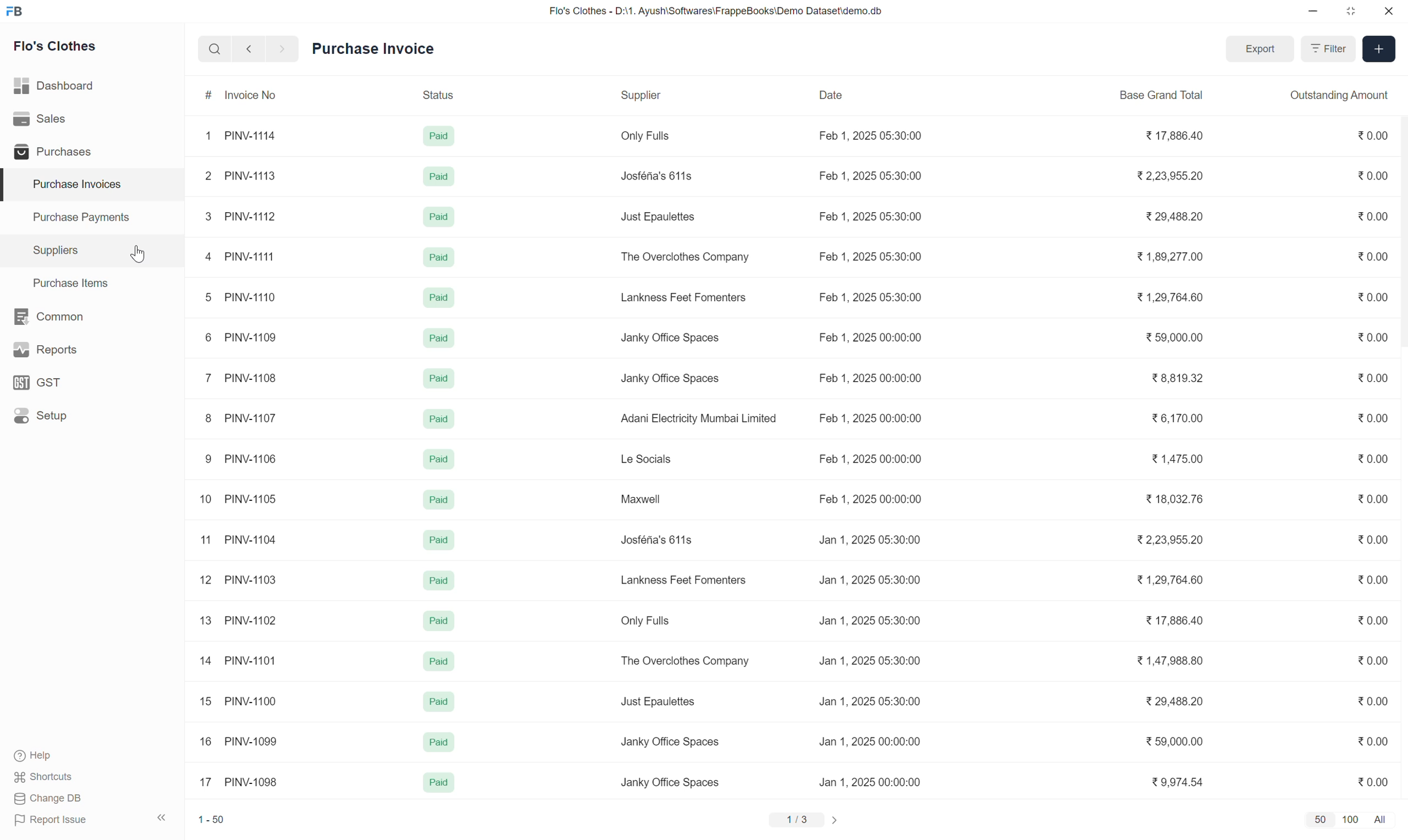 The height and width of the screenshot is (840, 1408). I want to click on 8, so click(207, 420).